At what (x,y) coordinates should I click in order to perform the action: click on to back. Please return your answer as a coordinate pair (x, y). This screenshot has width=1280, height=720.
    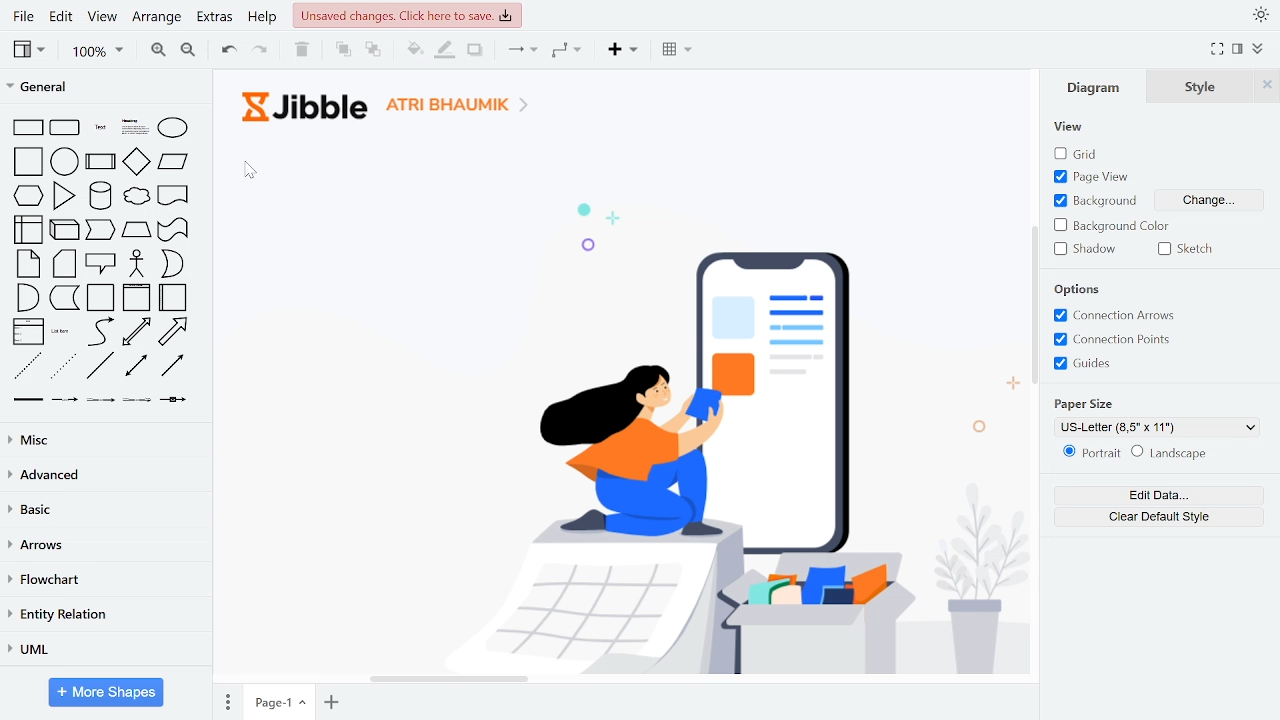
    Looking at the image, I should click on (374, 51).